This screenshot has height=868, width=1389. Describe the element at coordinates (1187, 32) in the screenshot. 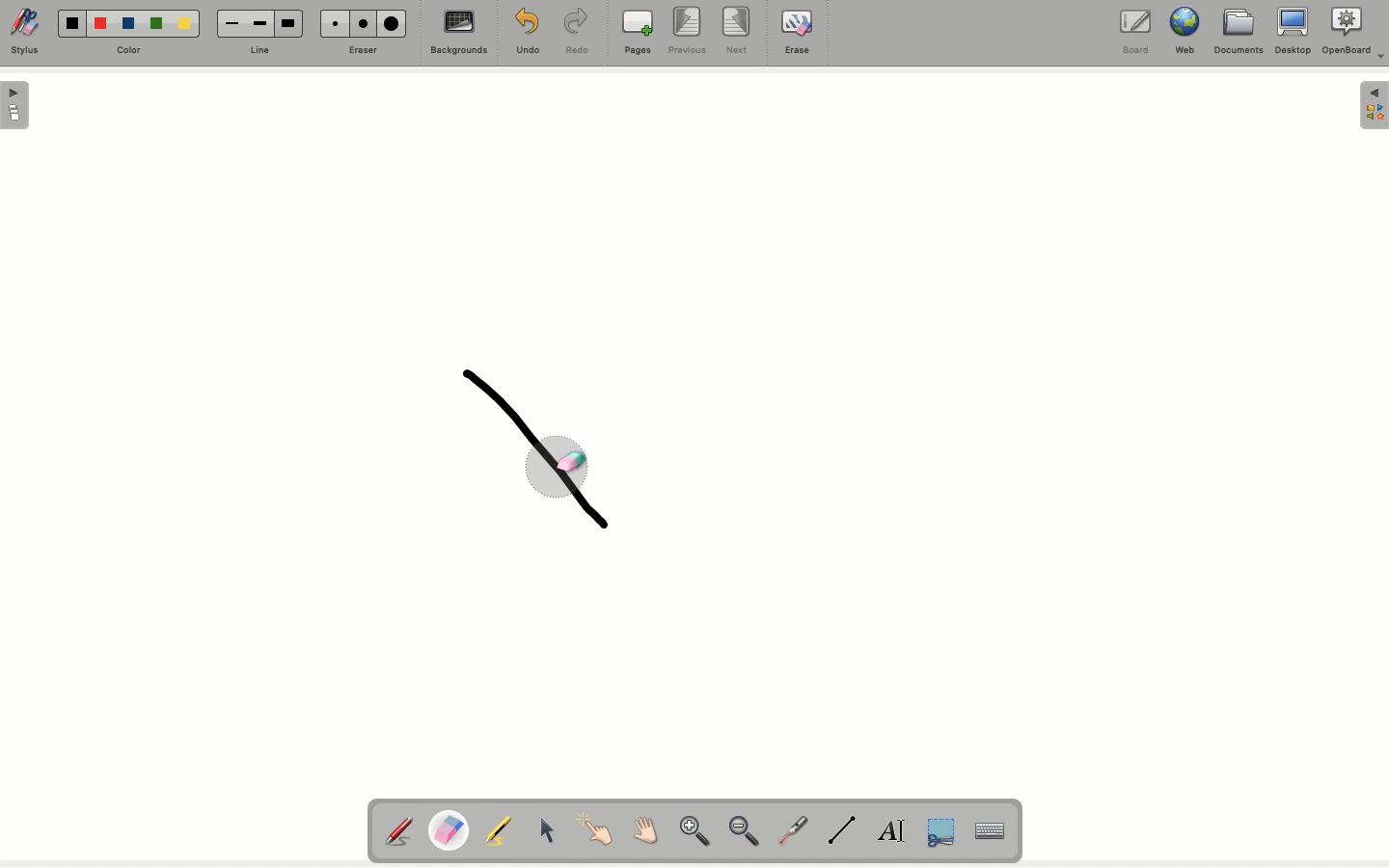

I see `Web` at that location.